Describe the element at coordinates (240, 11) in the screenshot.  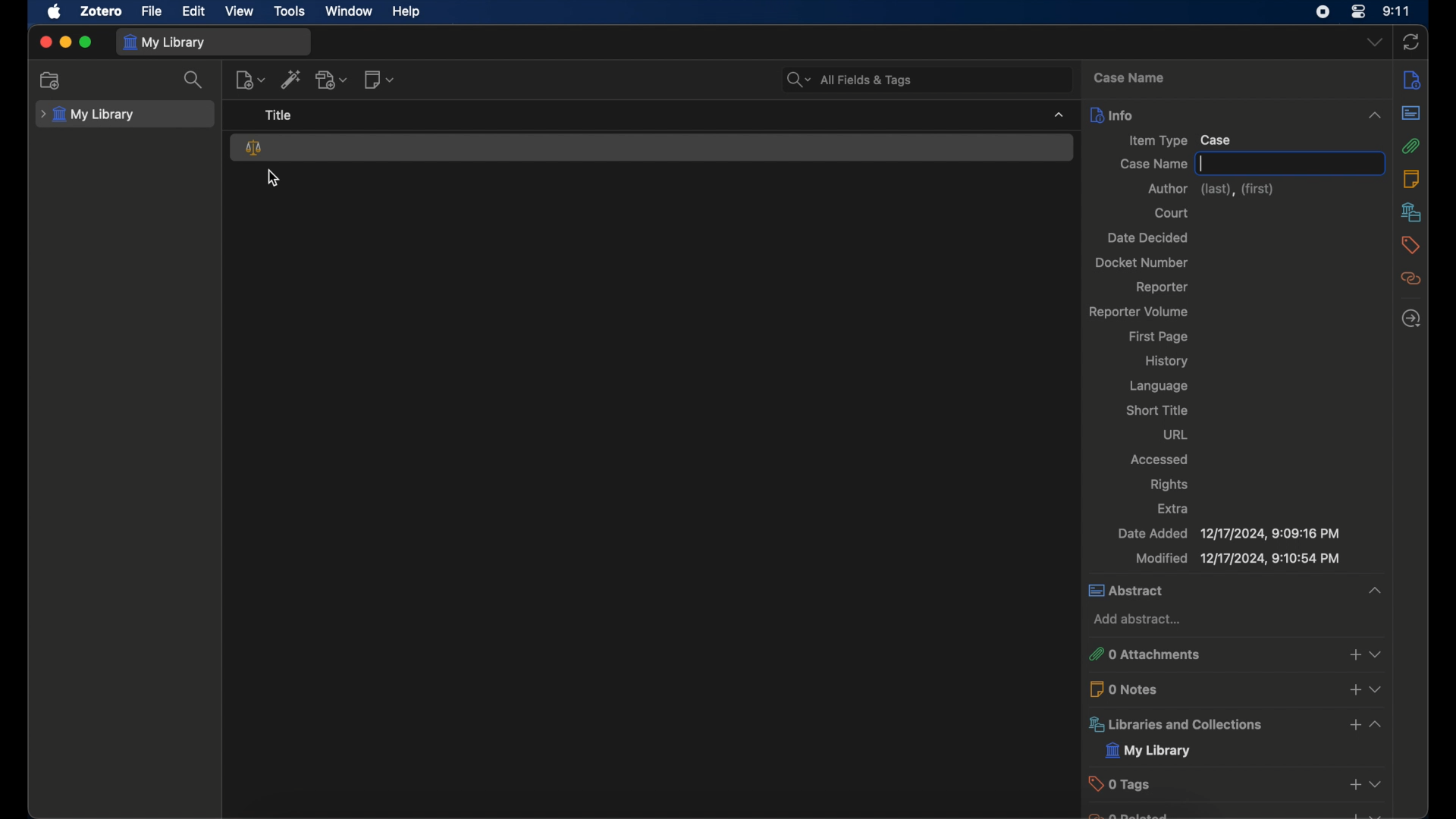
I see `view` at that location.